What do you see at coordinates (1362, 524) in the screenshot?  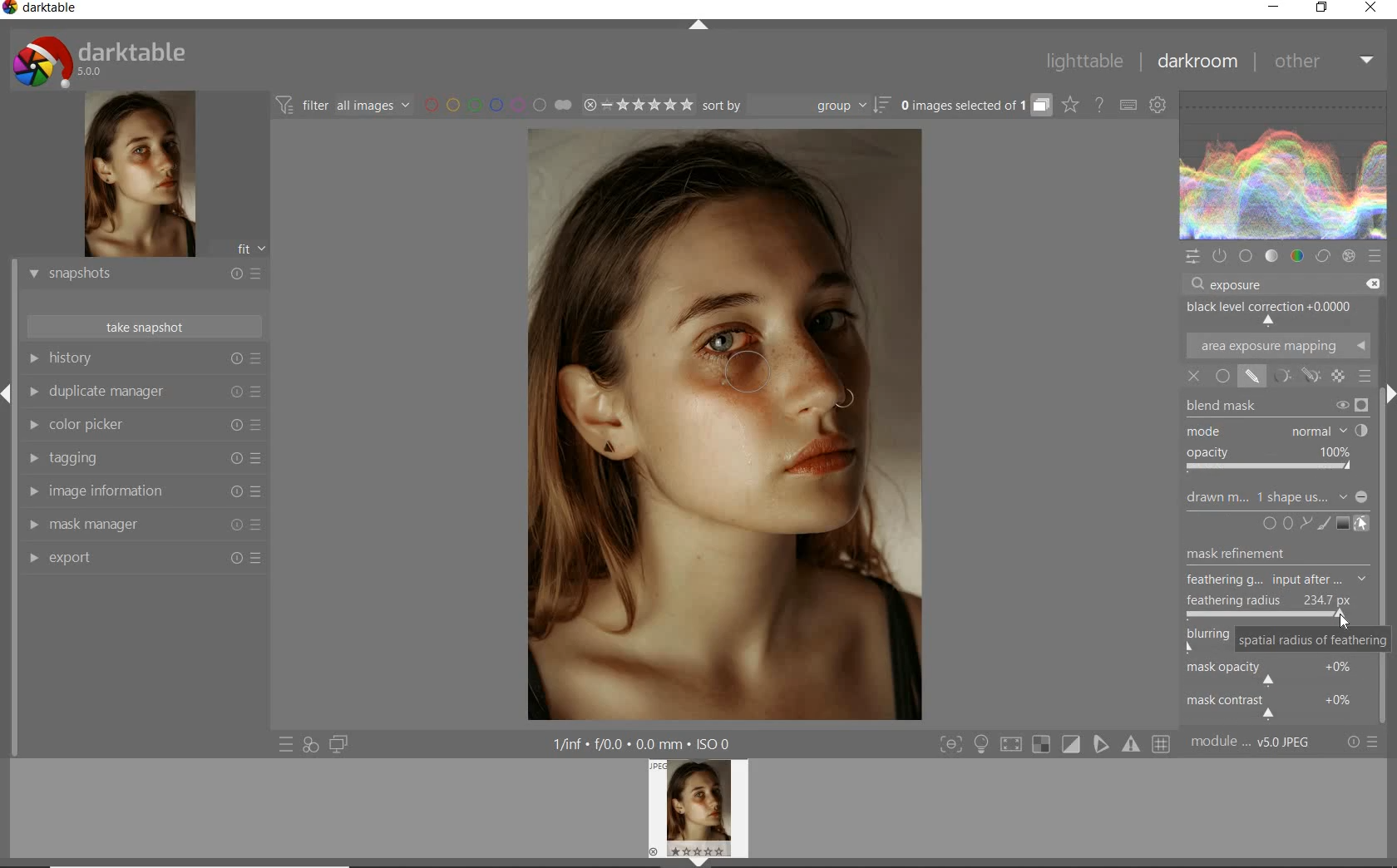 I see `SHOW AND EDIT MASK ELEMENT` at bounding box center [1362, 524].